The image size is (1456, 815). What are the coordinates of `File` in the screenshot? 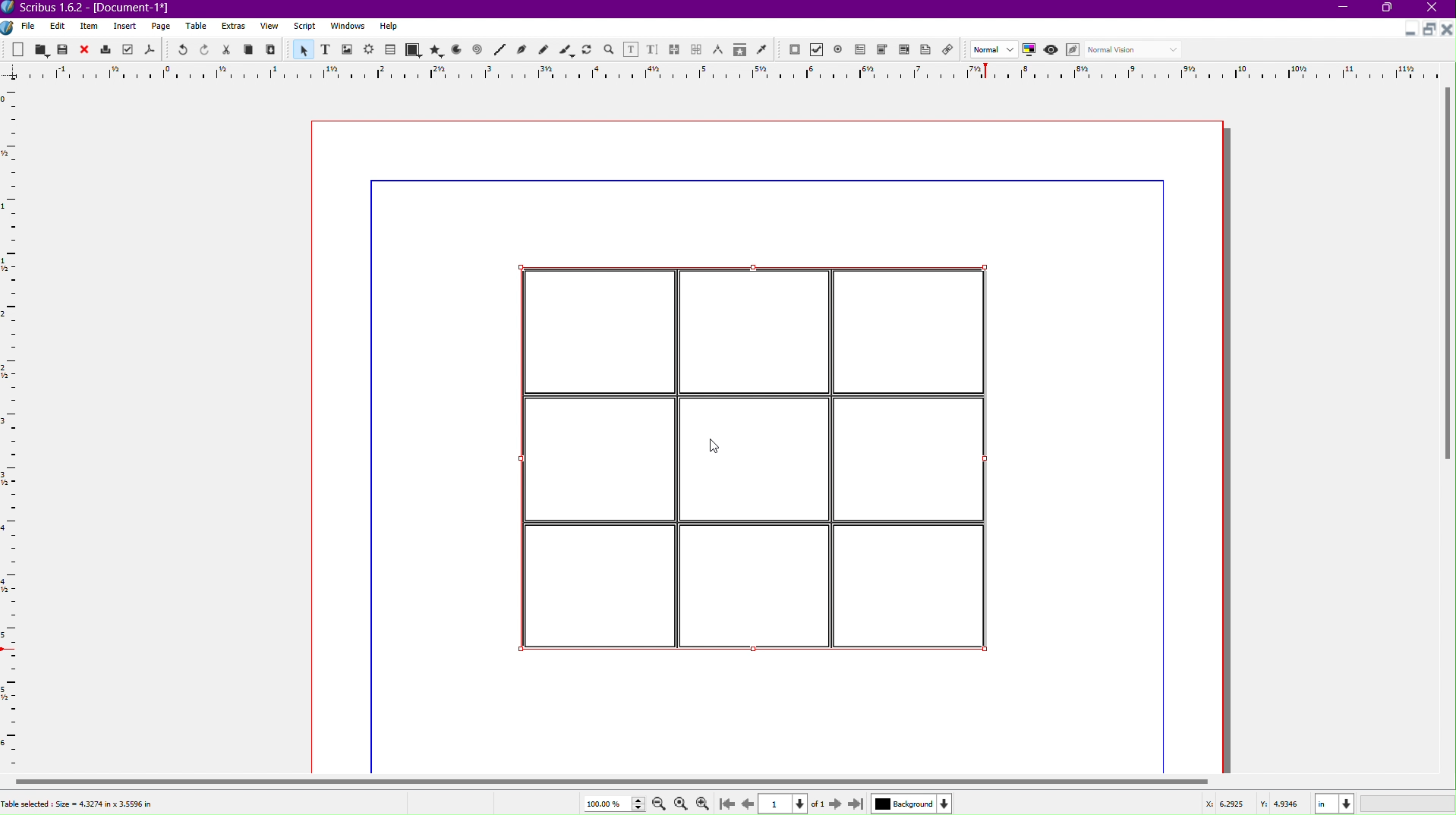 It's located at (27, 27).